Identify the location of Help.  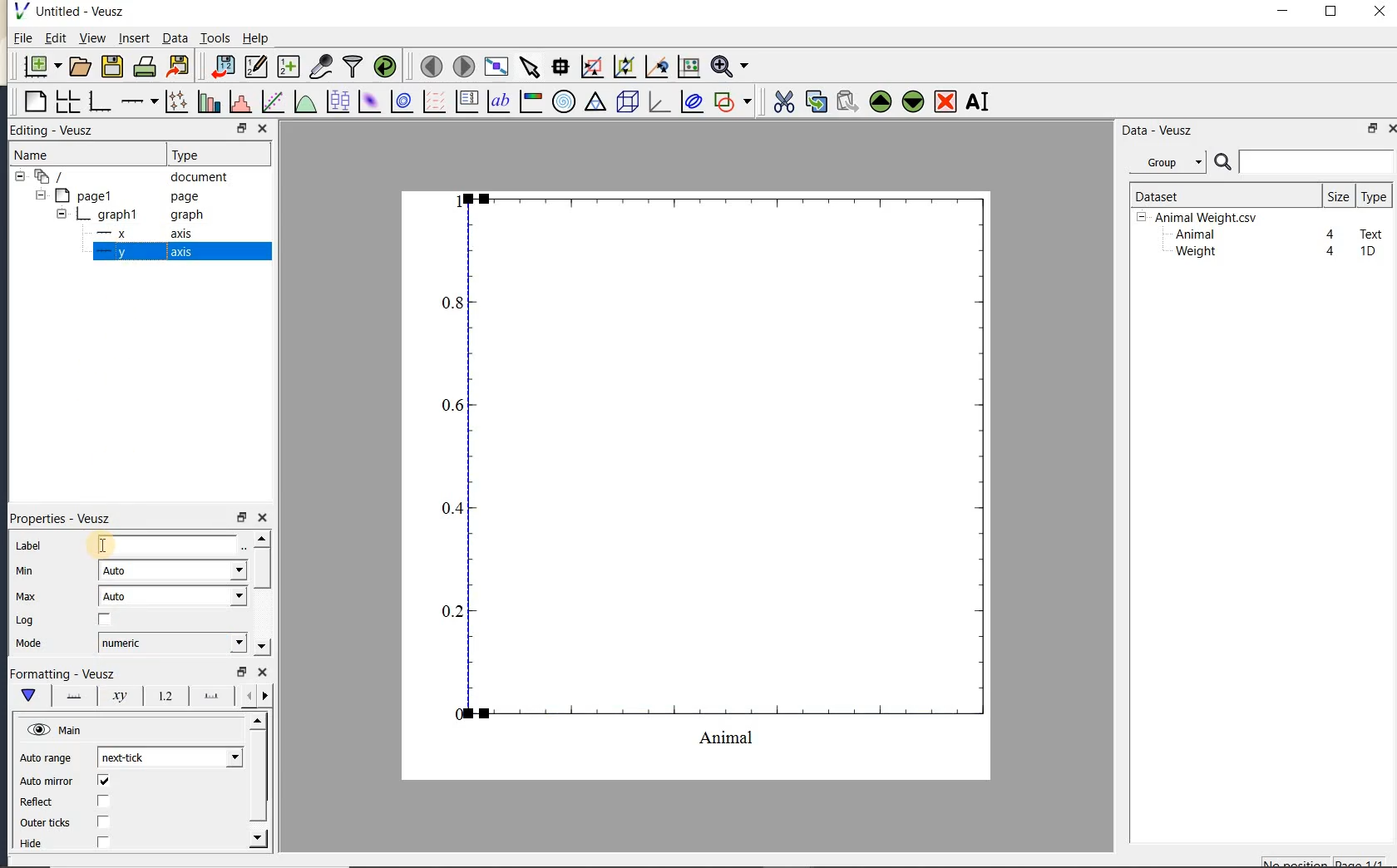
(255, 38).